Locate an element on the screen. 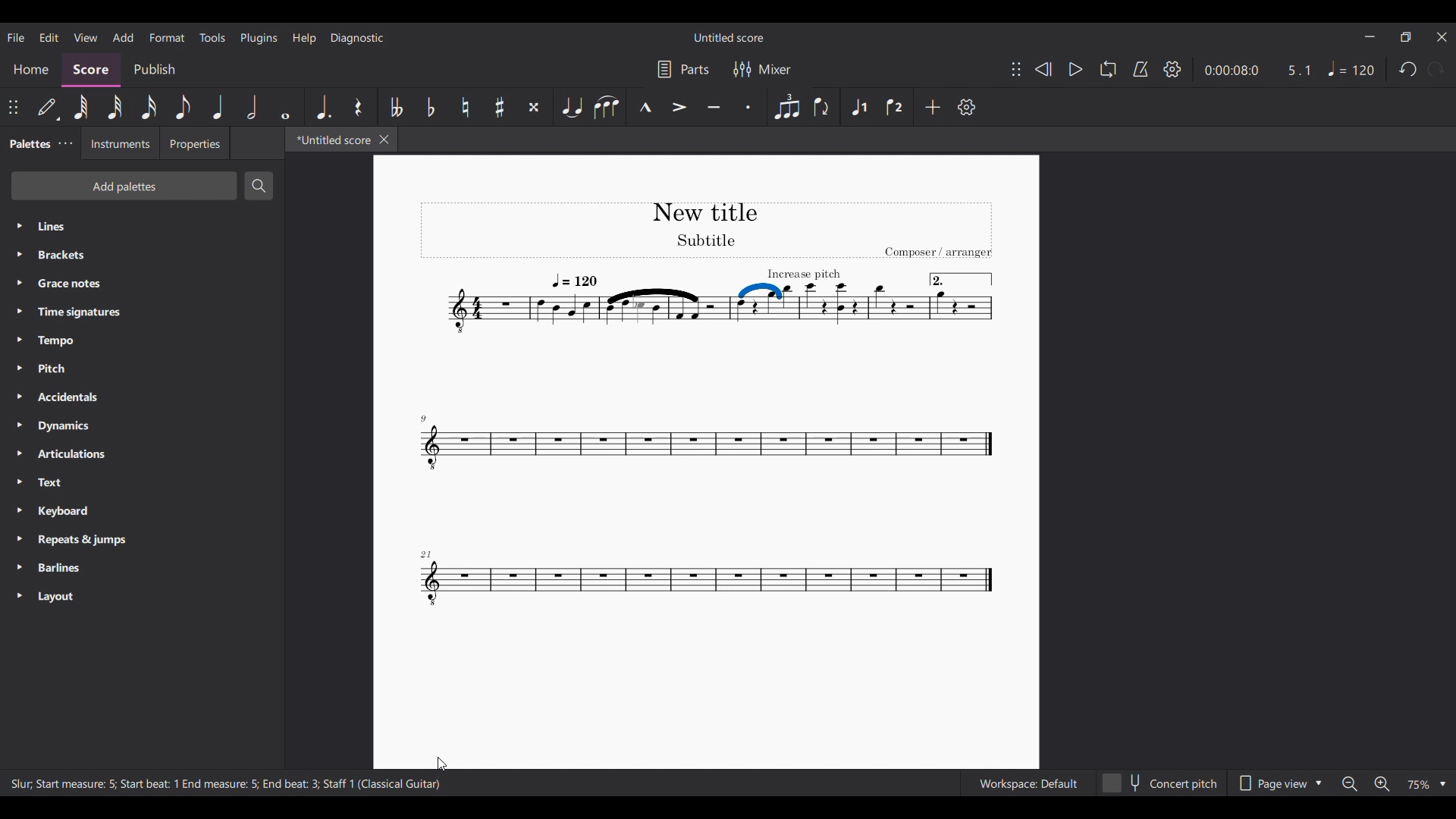 The width and height of the screenshot is (1456, 819). Grace notes is located at coordinates (141, 283).